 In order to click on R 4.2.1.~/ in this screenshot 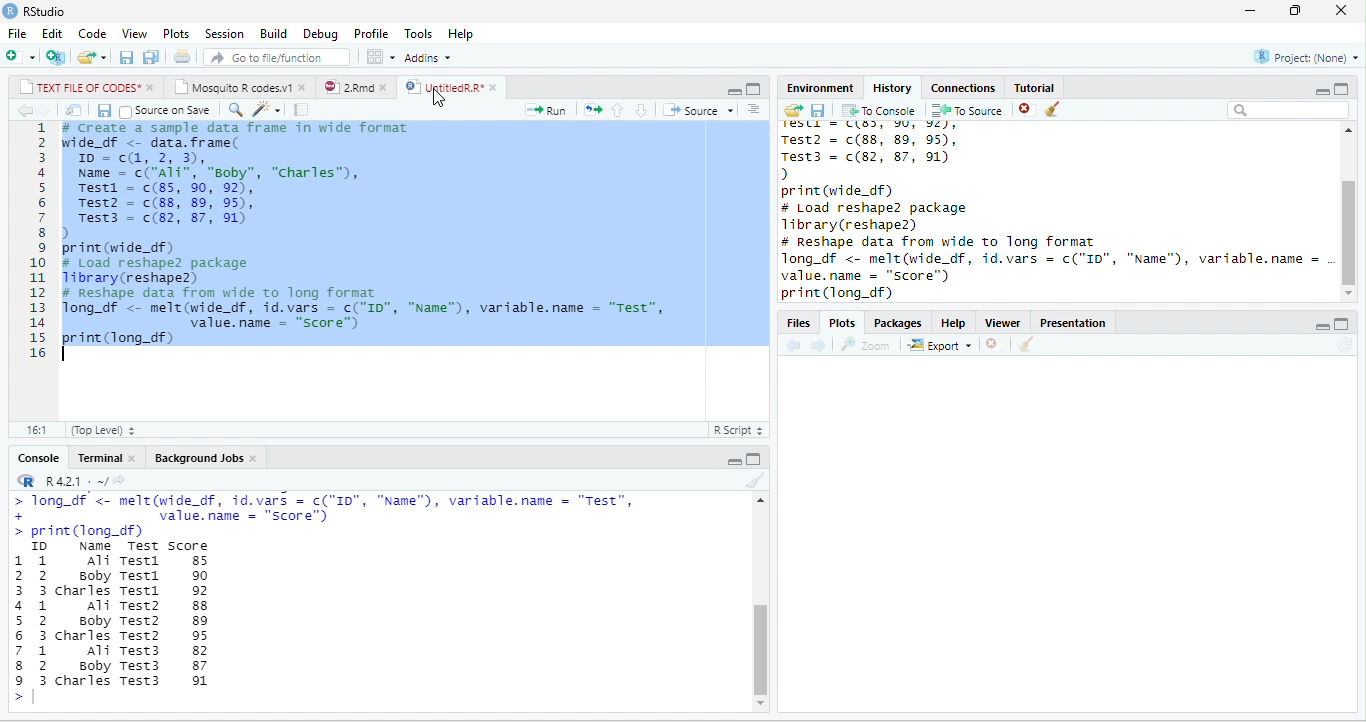, I will do `click(72, 480)`.